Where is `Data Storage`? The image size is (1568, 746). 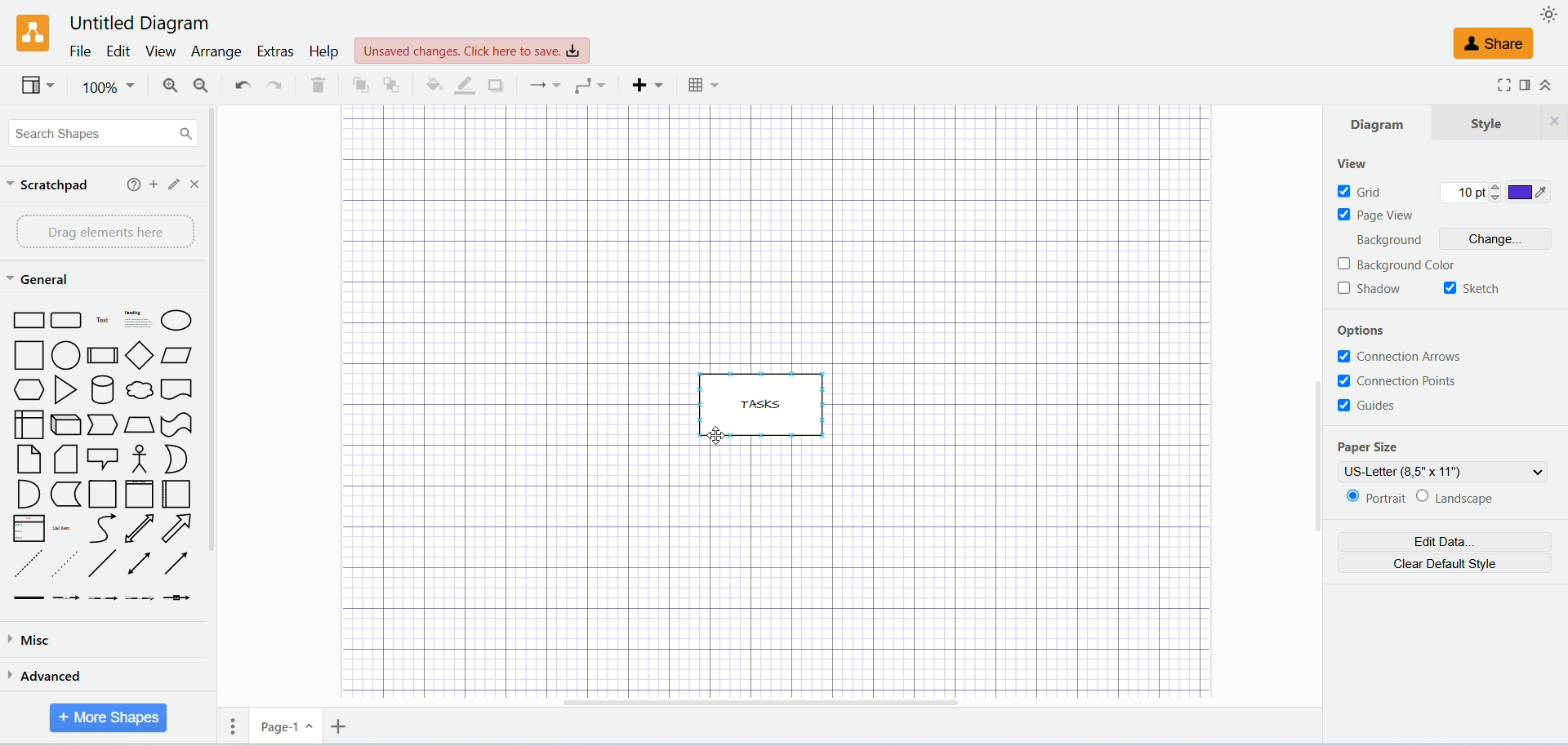 Data Storage is located at coordinates (65, 495).